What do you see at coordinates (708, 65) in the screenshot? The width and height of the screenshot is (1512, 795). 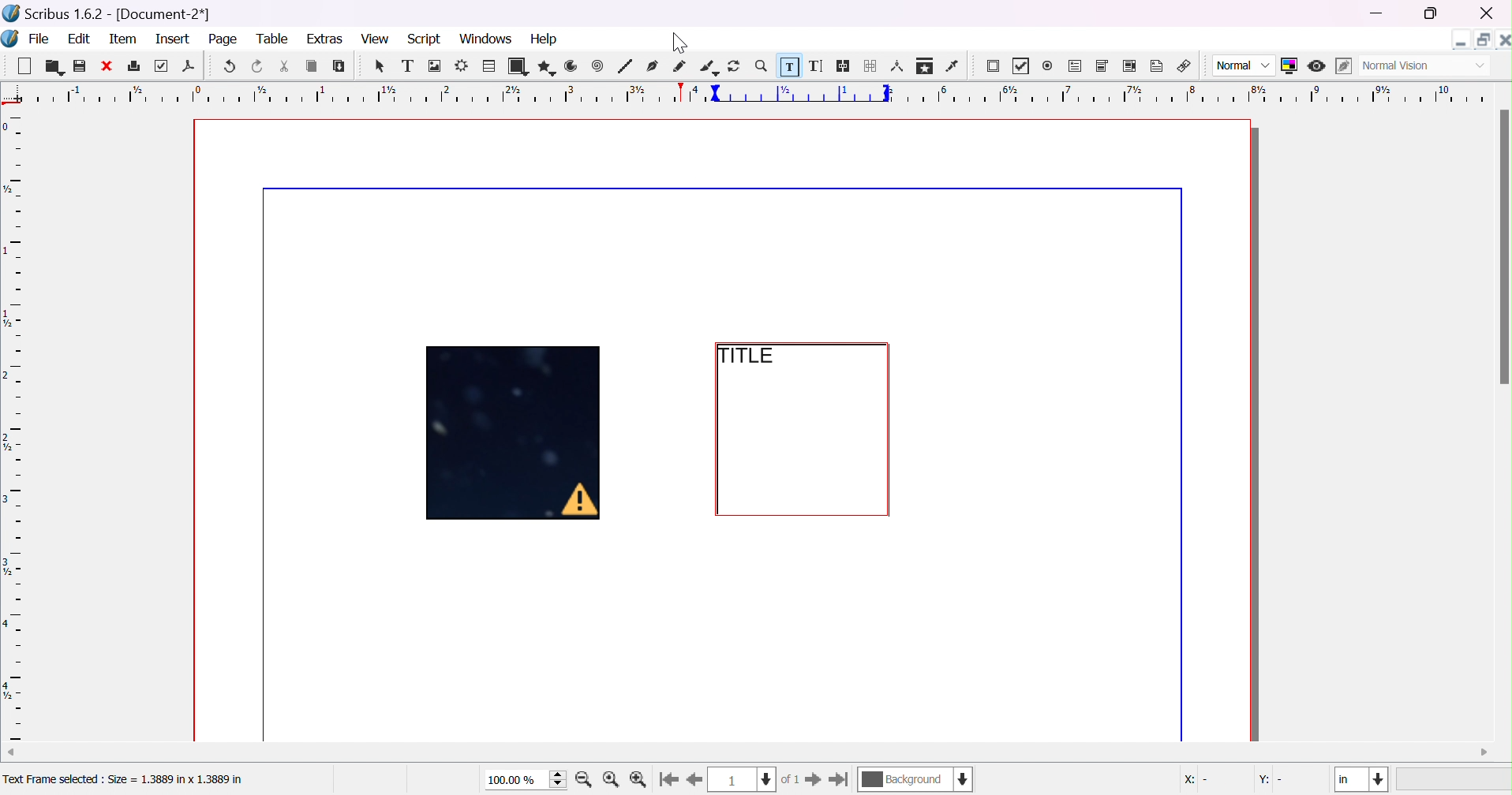 I see `calligraphic line` at bounding box center [708, 65].